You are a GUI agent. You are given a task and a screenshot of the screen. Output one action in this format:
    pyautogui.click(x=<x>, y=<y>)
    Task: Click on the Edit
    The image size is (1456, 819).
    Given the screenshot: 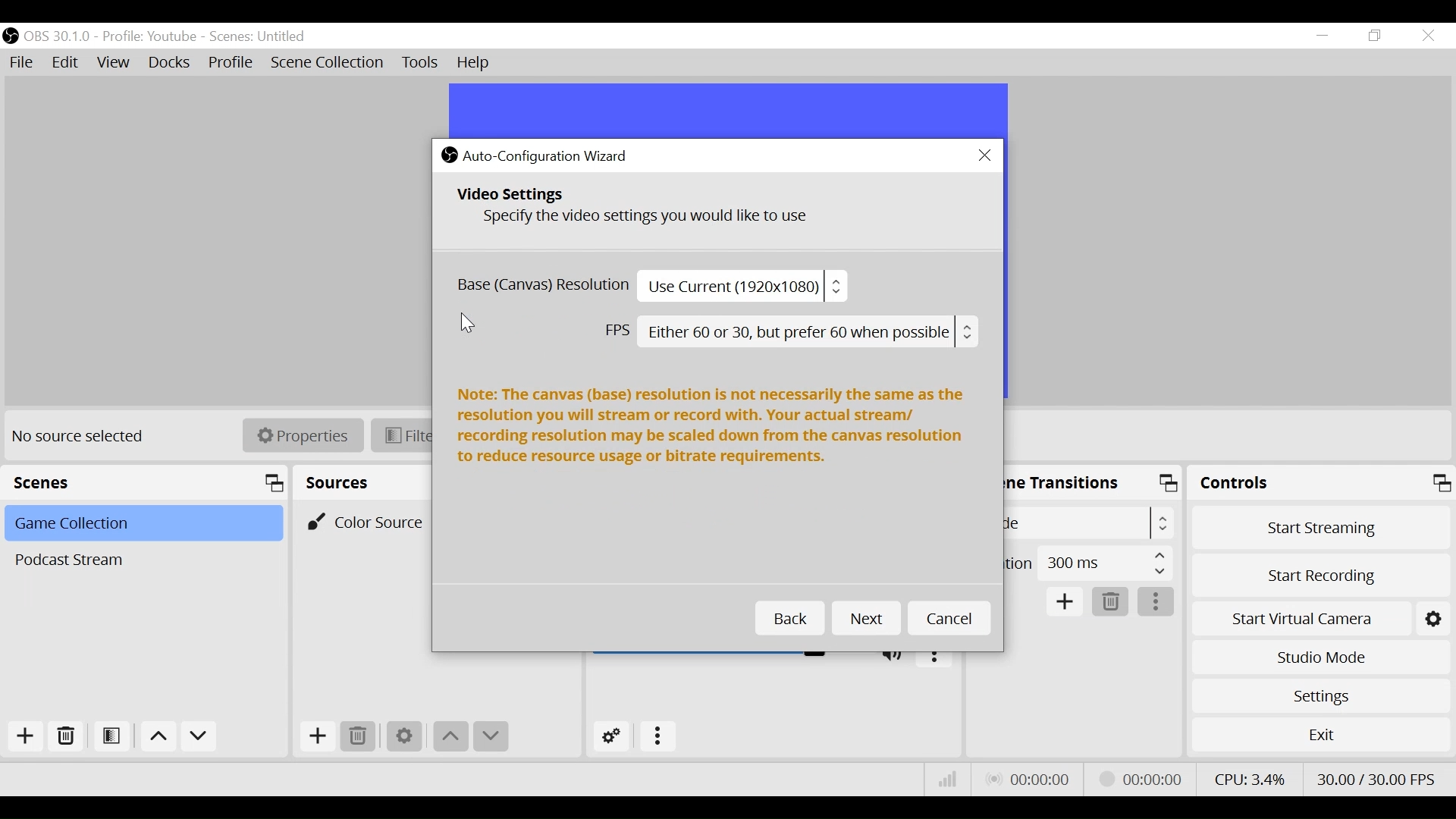 What is the action you would take?
    pyautogui.click(x=67, y=64)
    